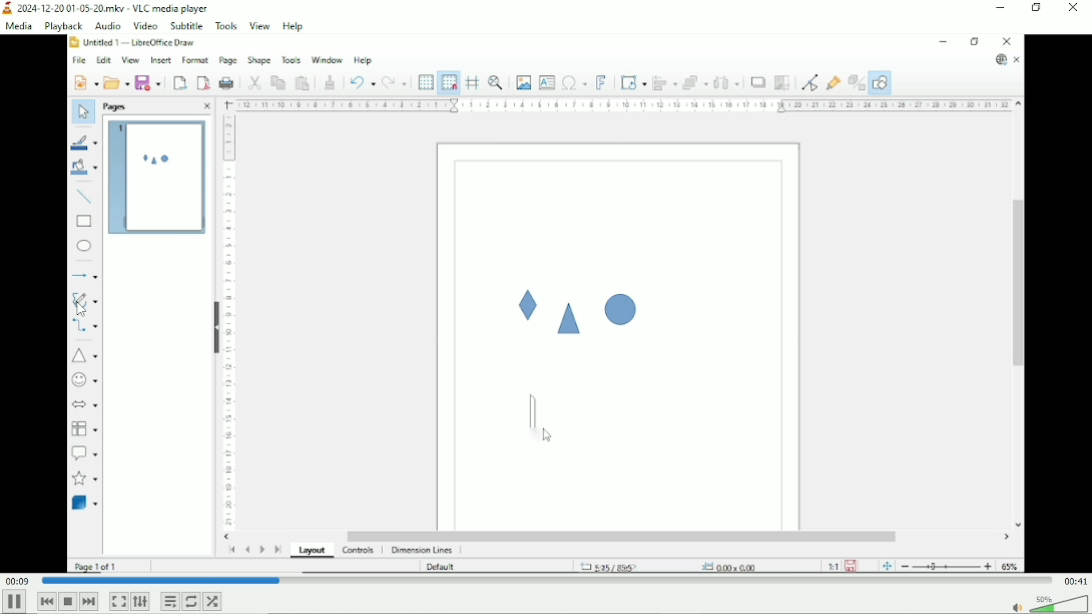 The width and height of the screenshot is (1092, 614). Describe the element at coordinates (545, 304) in the screenshot. I see `Video` at that location.